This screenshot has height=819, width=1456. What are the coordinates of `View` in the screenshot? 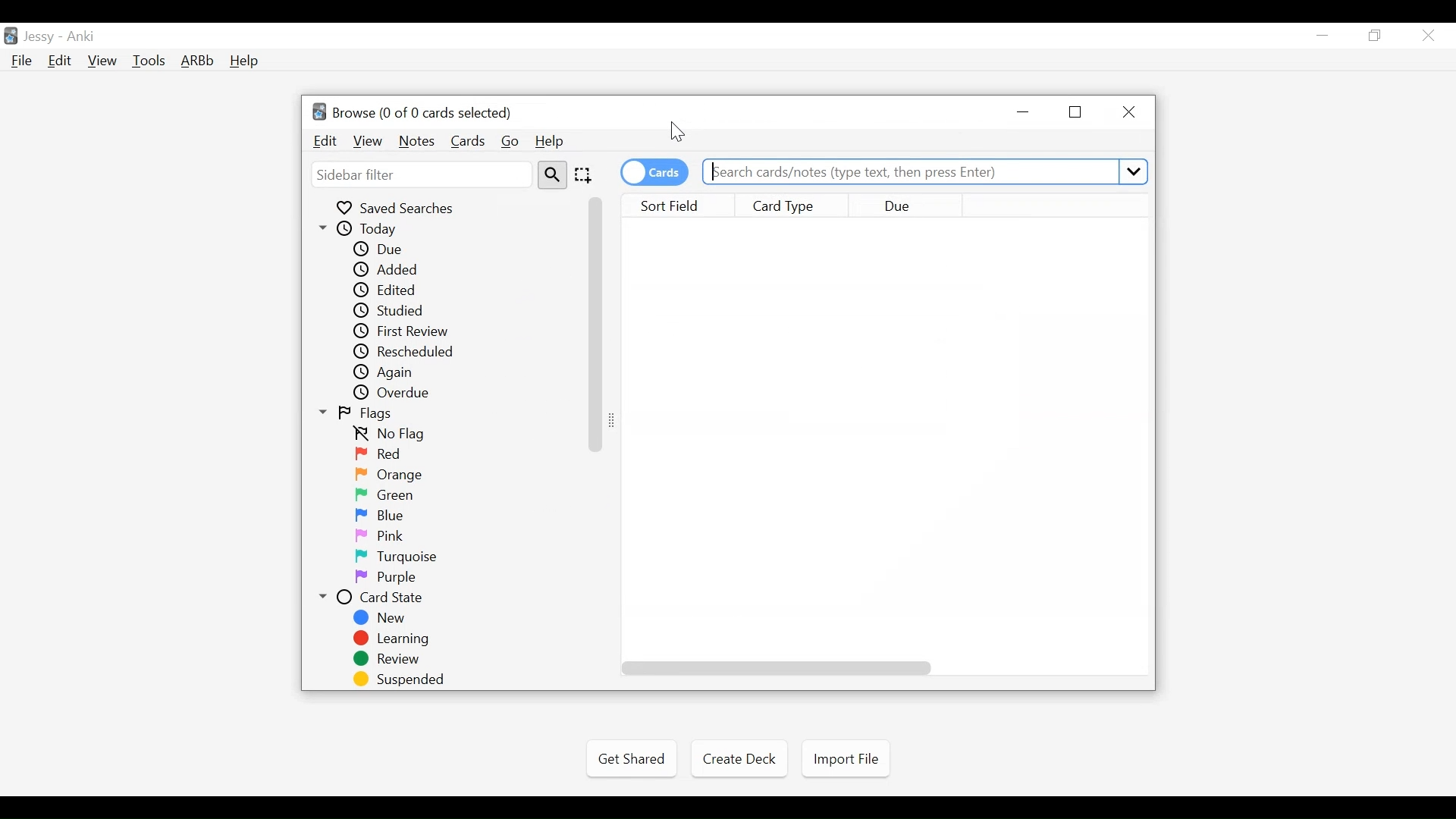 It's located at (368, 142).